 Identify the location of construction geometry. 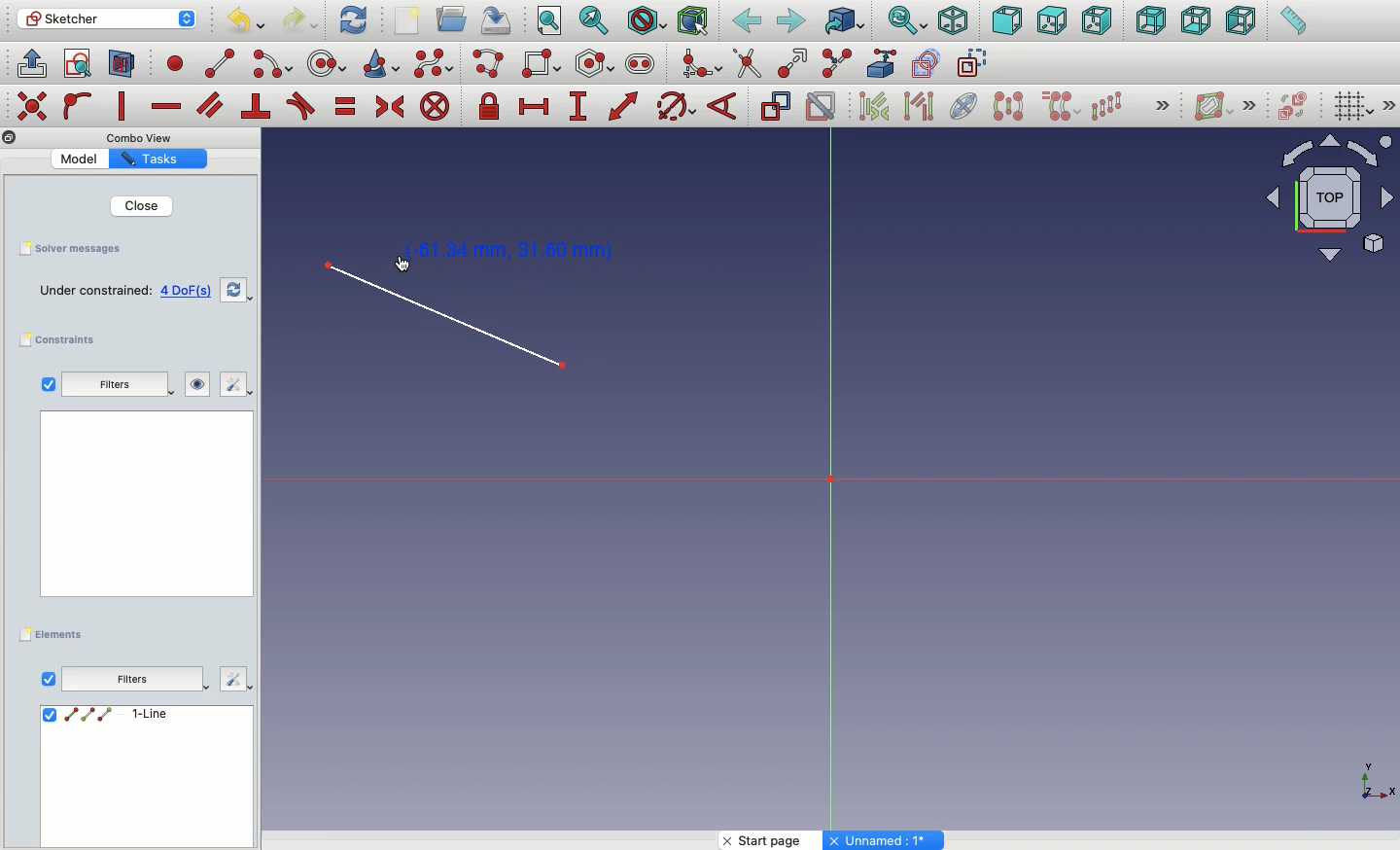
(975, 64).